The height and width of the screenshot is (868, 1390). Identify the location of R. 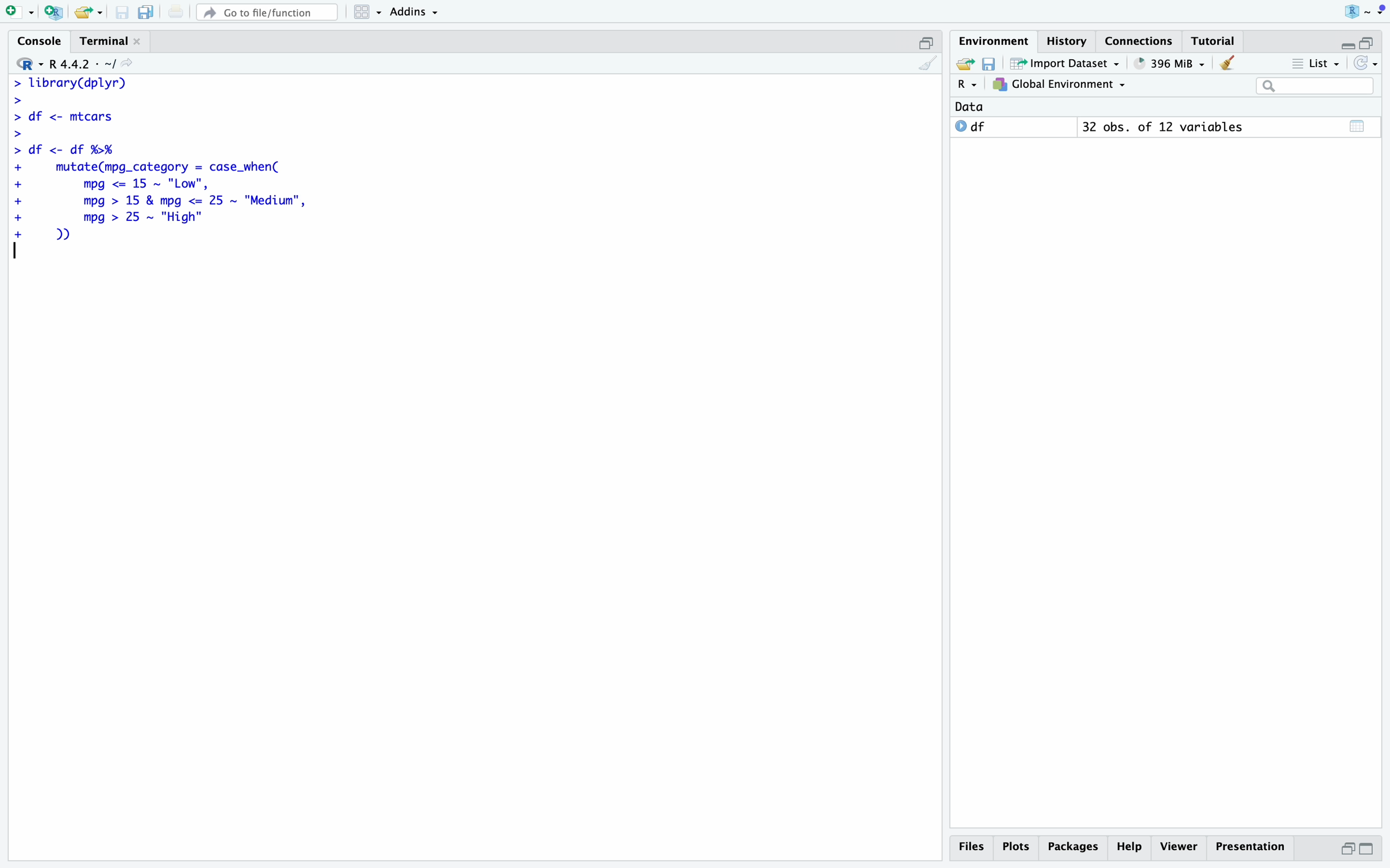
(969, 85).